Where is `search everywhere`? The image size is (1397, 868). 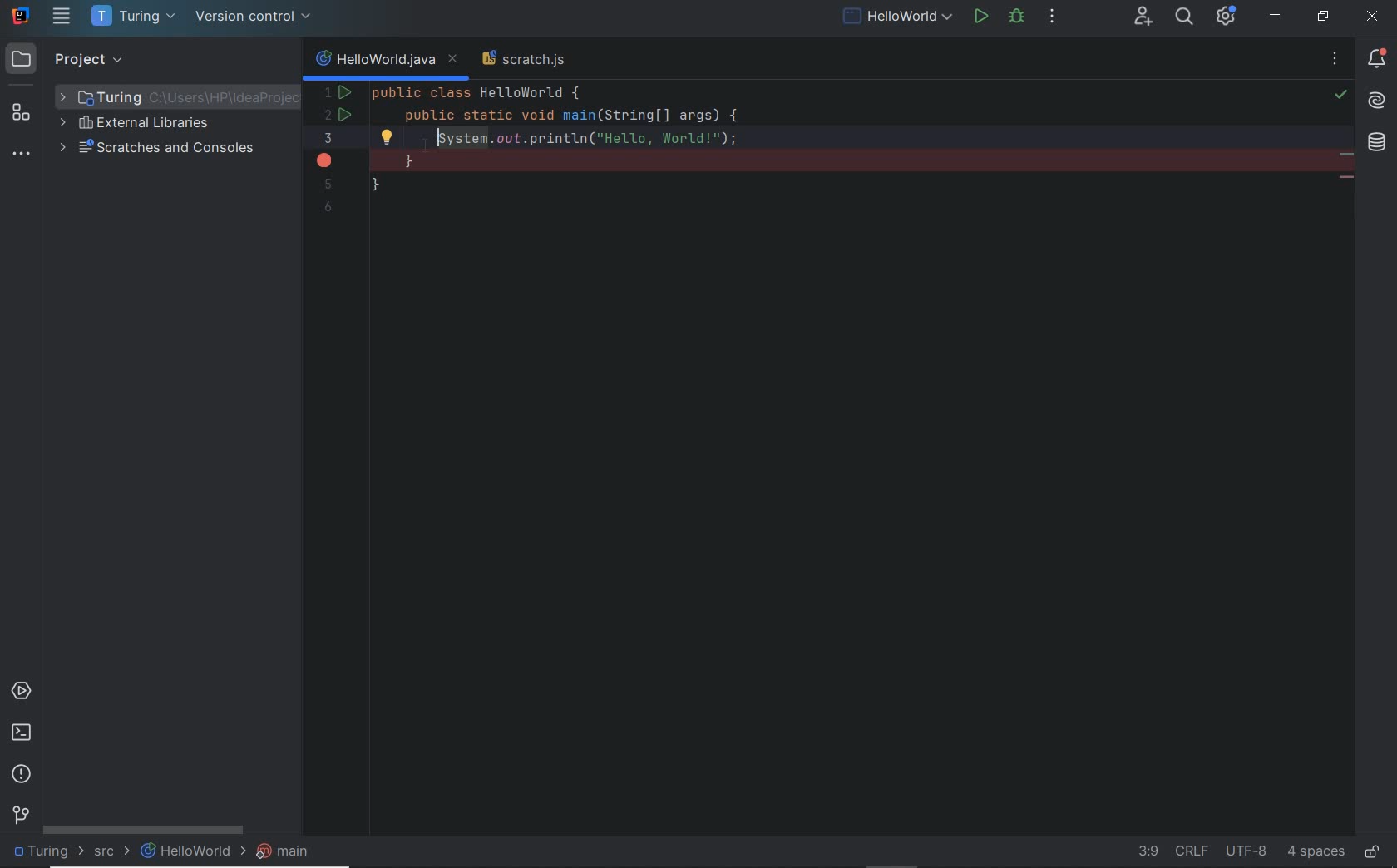
search everywhere is located at coordinates (1184, 17).